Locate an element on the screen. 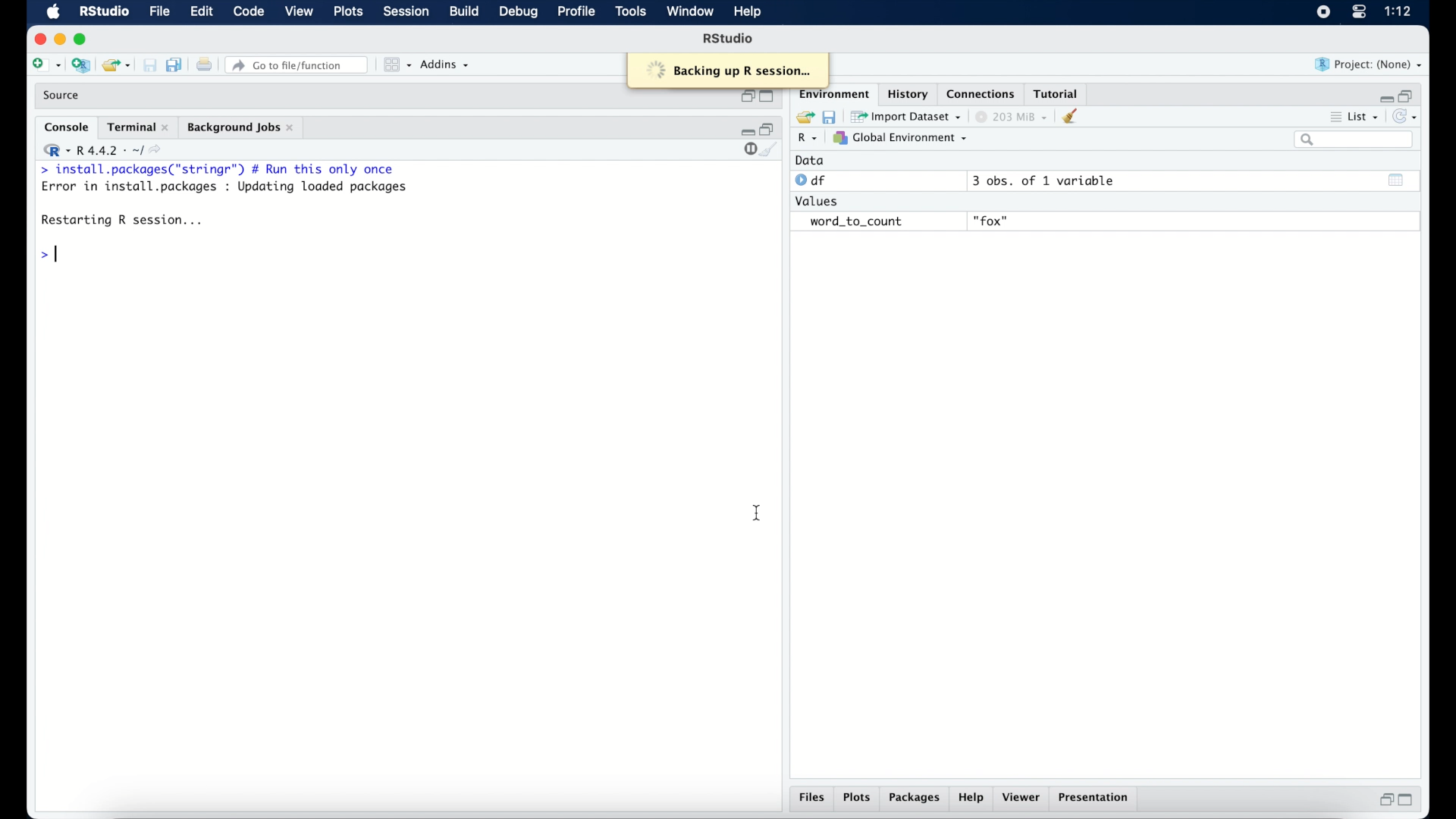 The height and width of the screenshot is (819, 1456). source is located at coordinates (63, 96).